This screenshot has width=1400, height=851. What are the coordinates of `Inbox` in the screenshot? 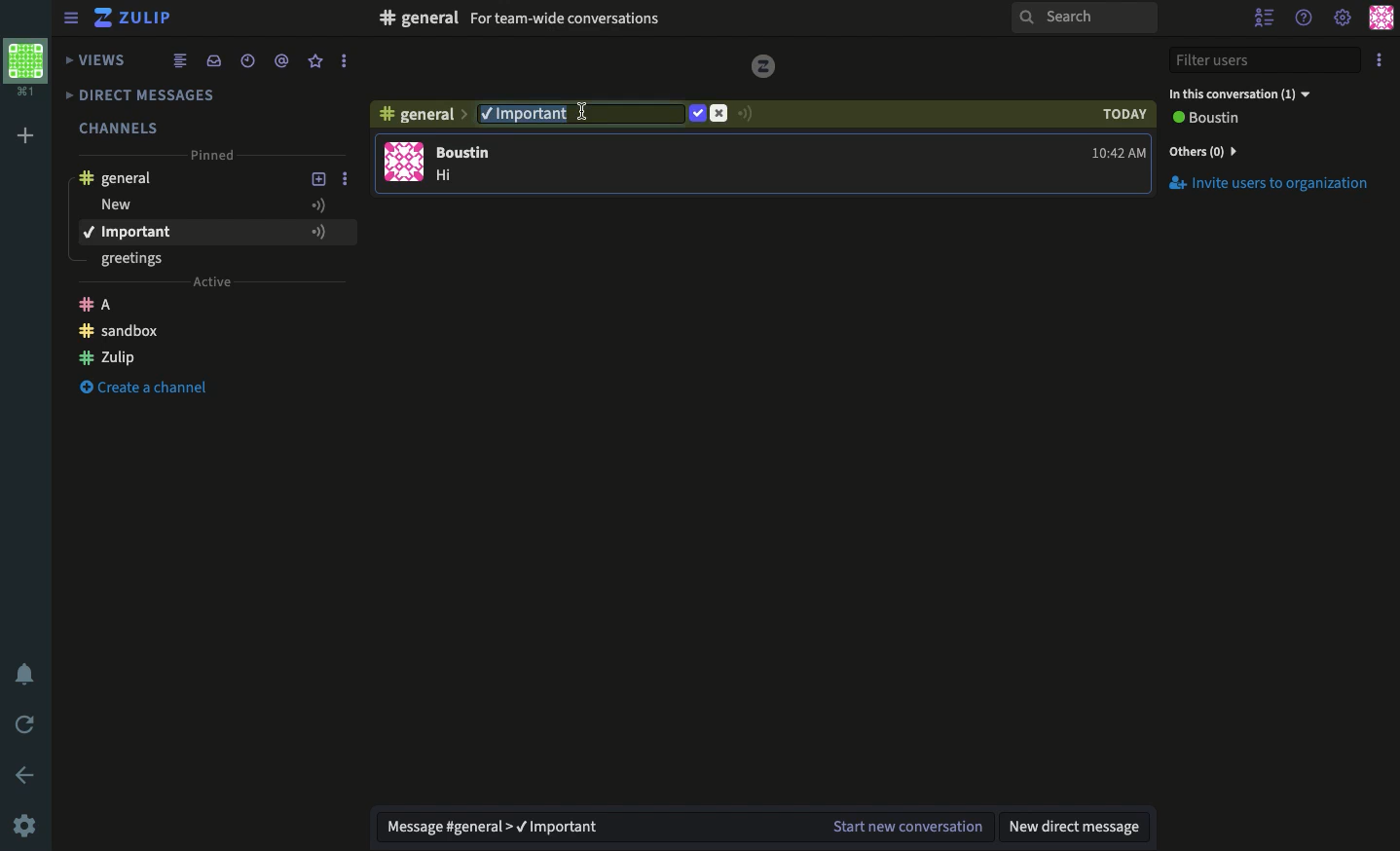 It's located at (213, 59).